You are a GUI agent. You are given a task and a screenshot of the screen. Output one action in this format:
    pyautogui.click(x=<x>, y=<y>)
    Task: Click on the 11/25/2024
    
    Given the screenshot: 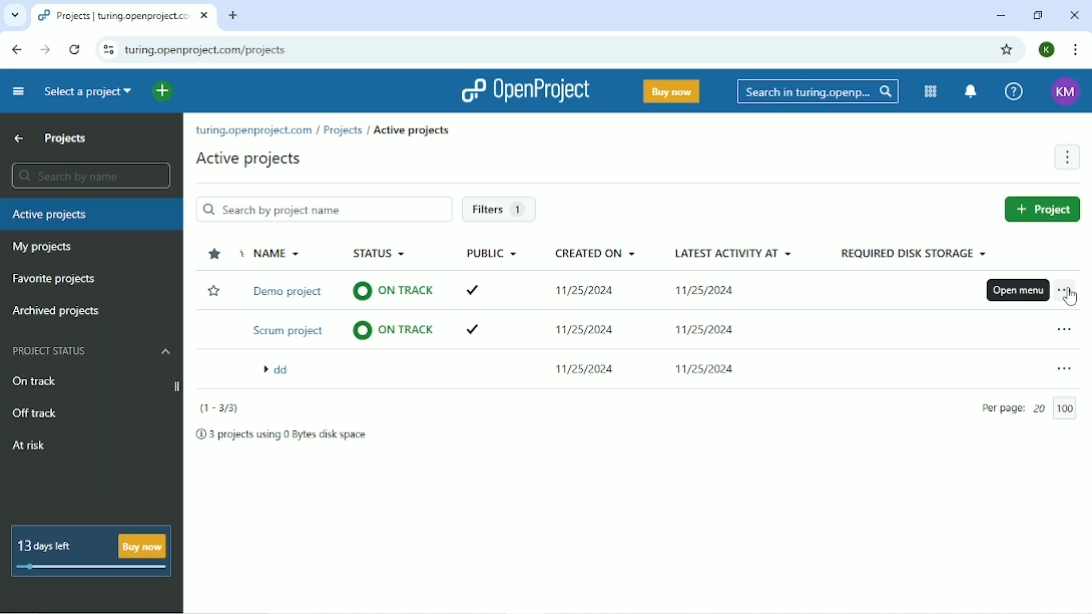 What is the action you would take?
    pyautogui.click(x=708, y=289)
    